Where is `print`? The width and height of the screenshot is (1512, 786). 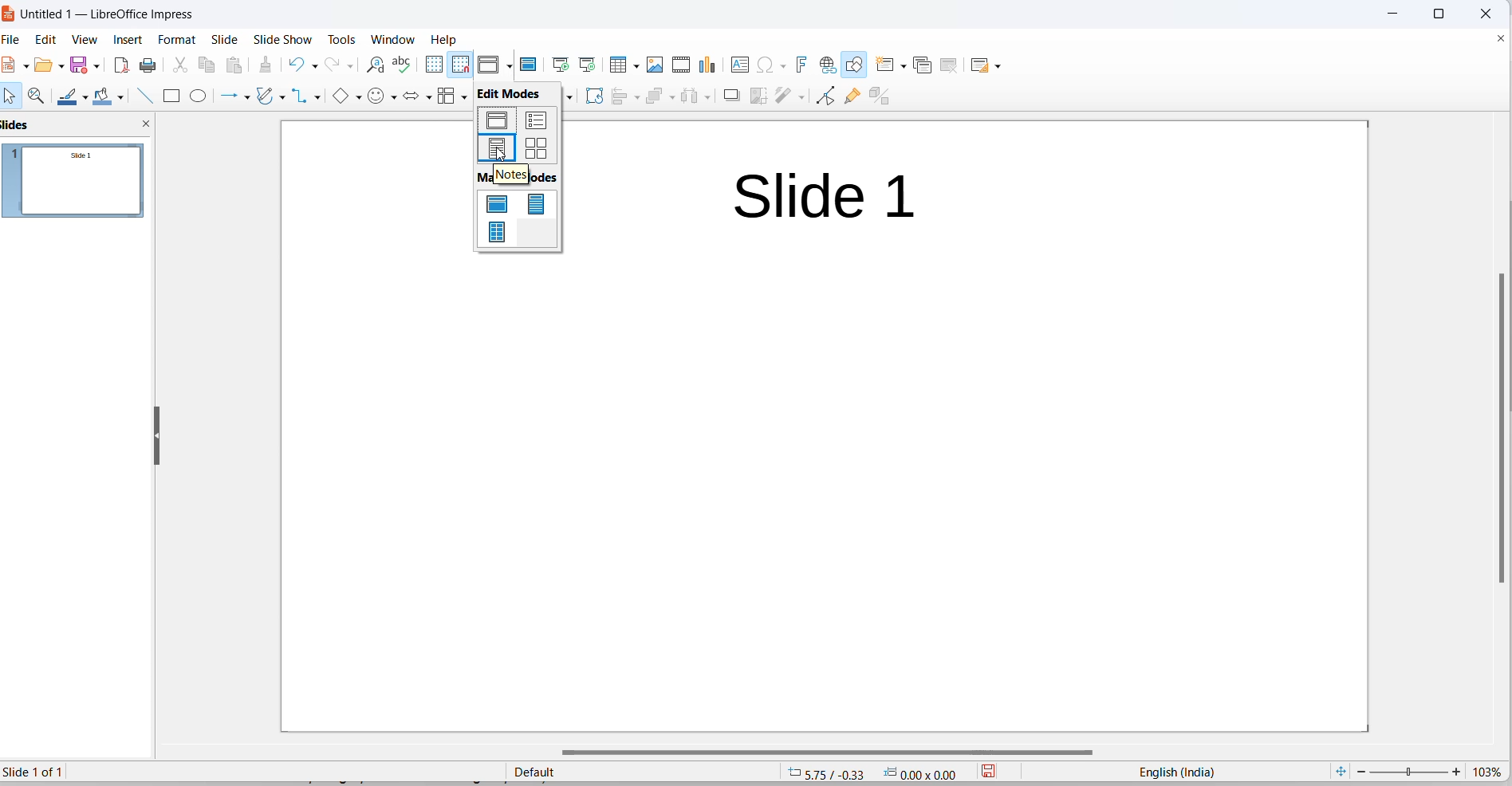
print is located at coordinates (149, 67).